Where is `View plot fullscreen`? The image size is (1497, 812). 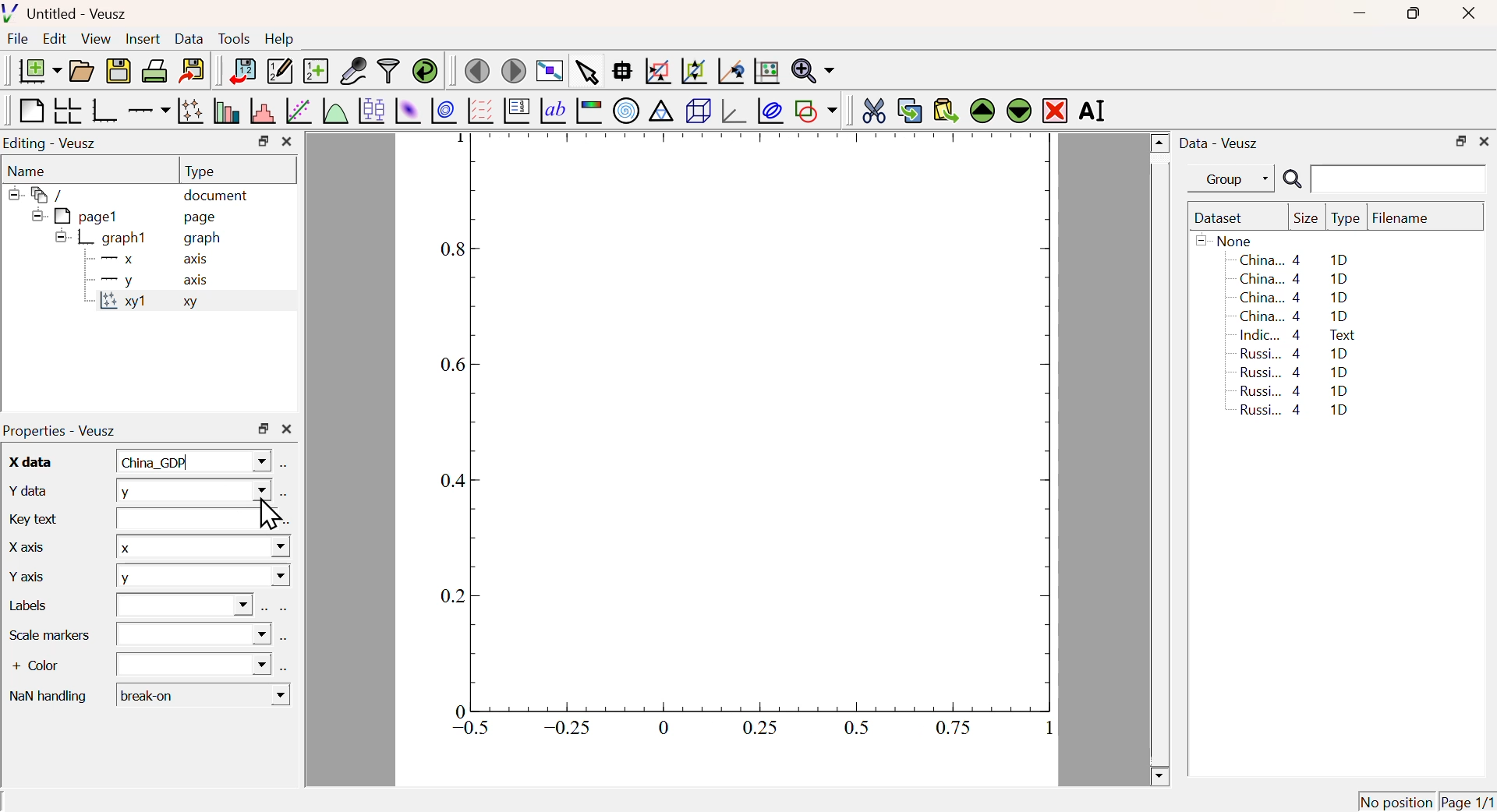 View plot fullscreen is located at coordinates (547, 72).